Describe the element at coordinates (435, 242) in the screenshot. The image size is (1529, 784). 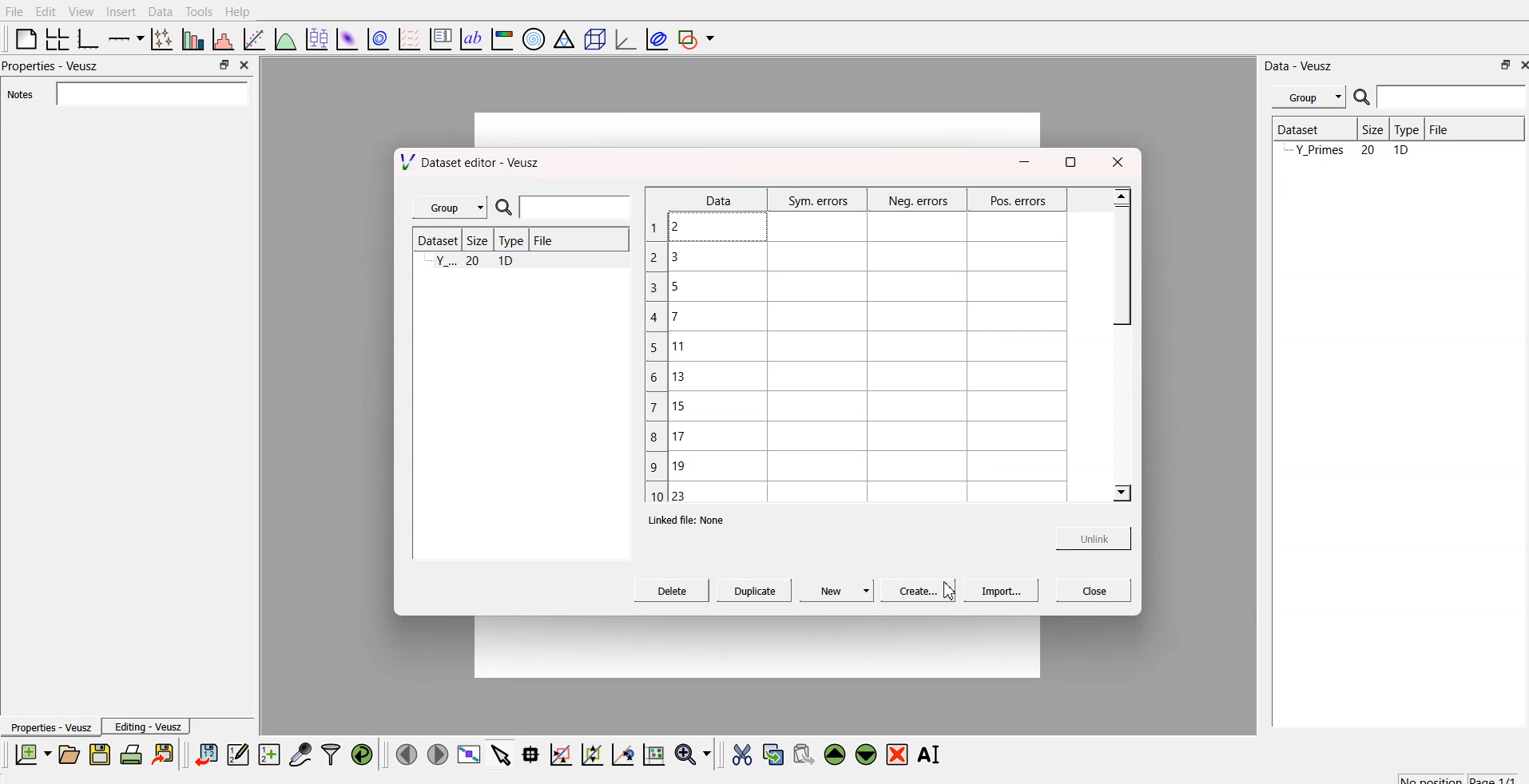
I see `Dataset` at that location.